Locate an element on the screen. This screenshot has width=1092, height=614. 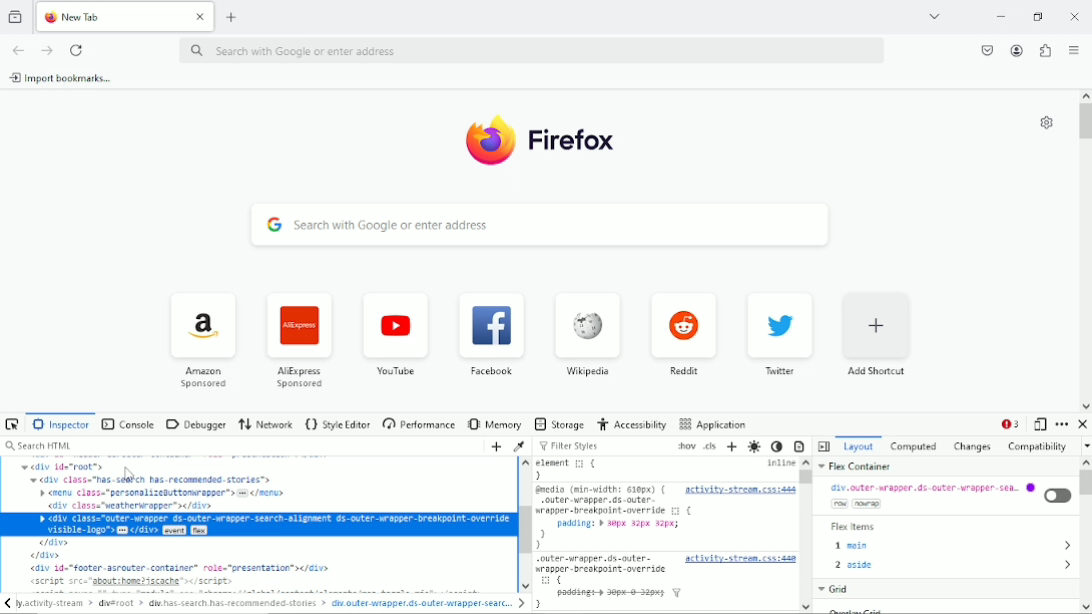
Customize developer tools is located at coordinates (1062, 424).